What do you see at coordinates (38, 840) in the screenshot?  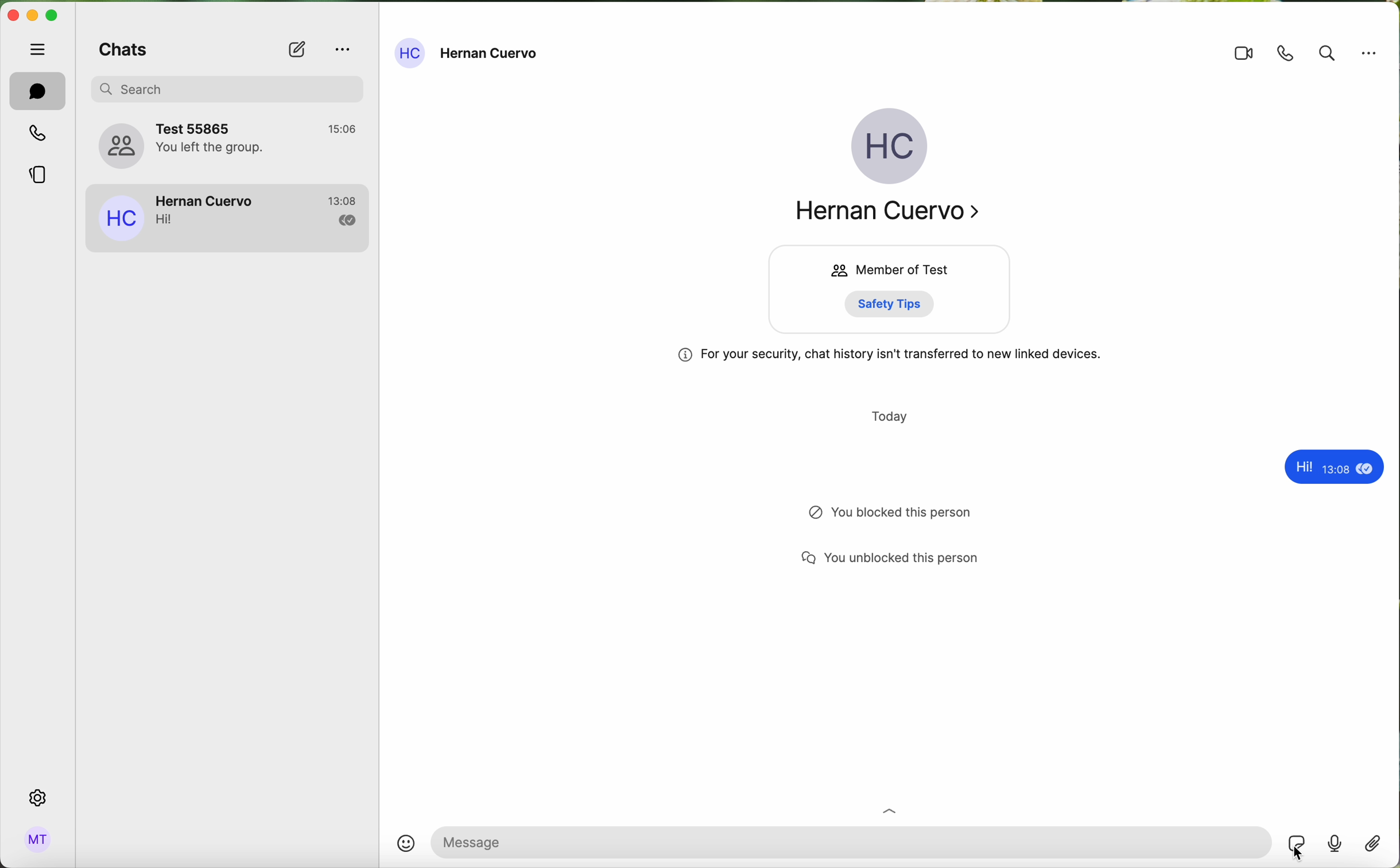 I see `profile` at bounding box center [38, 840].